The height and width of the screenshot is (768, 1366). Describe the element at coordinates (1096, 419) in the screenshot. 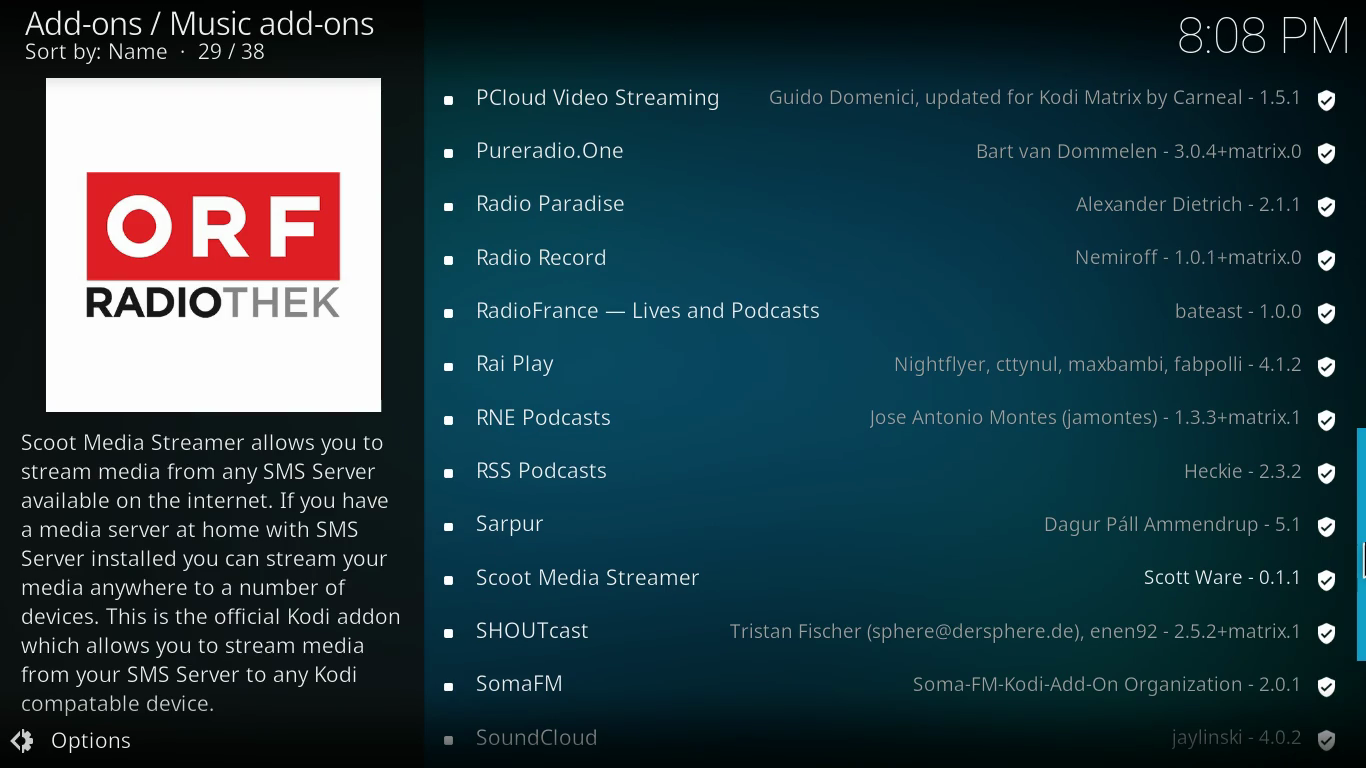

I see `provider` at that location.